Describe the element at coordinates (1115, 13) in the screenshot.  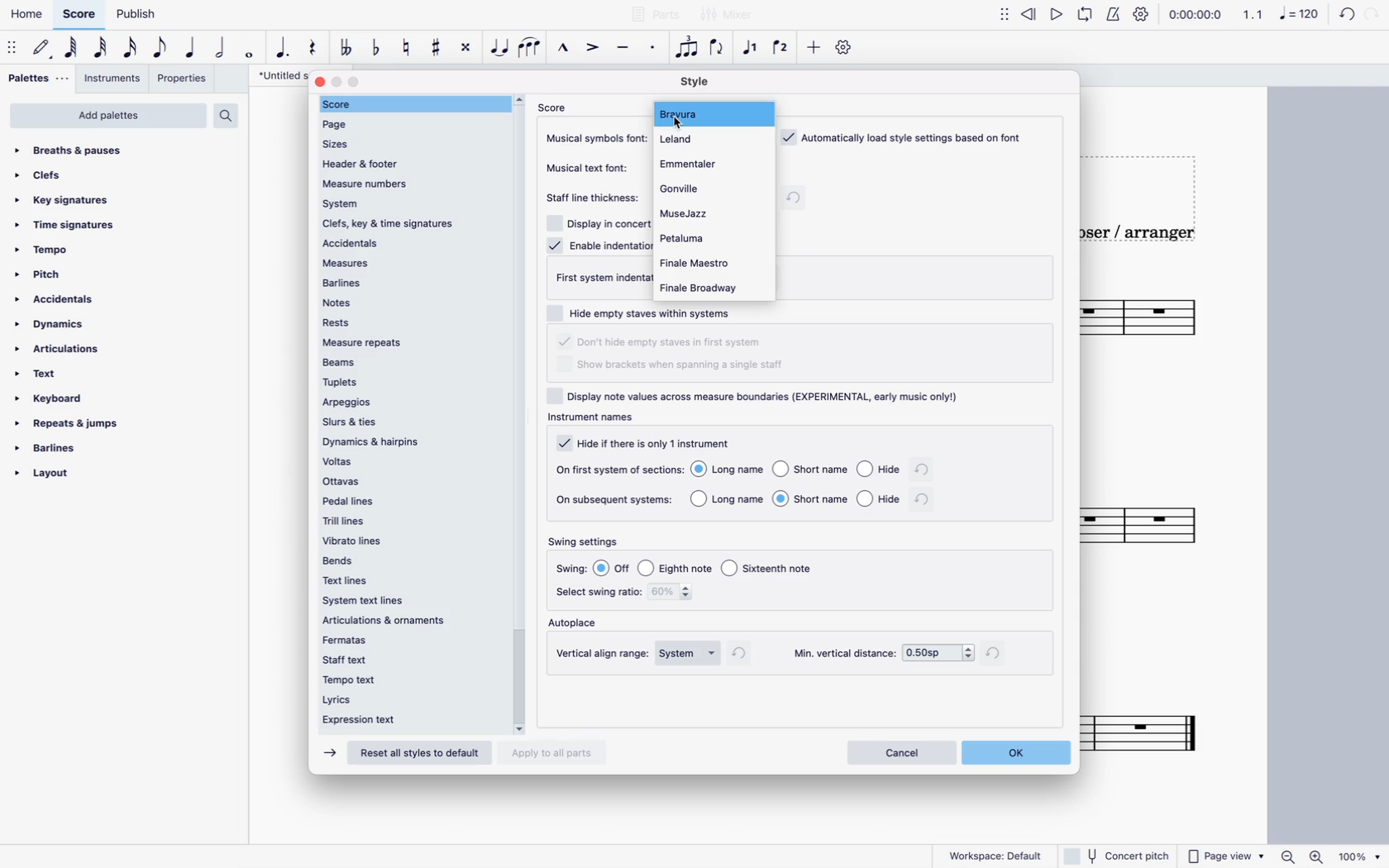
I see `Notify` at that location.